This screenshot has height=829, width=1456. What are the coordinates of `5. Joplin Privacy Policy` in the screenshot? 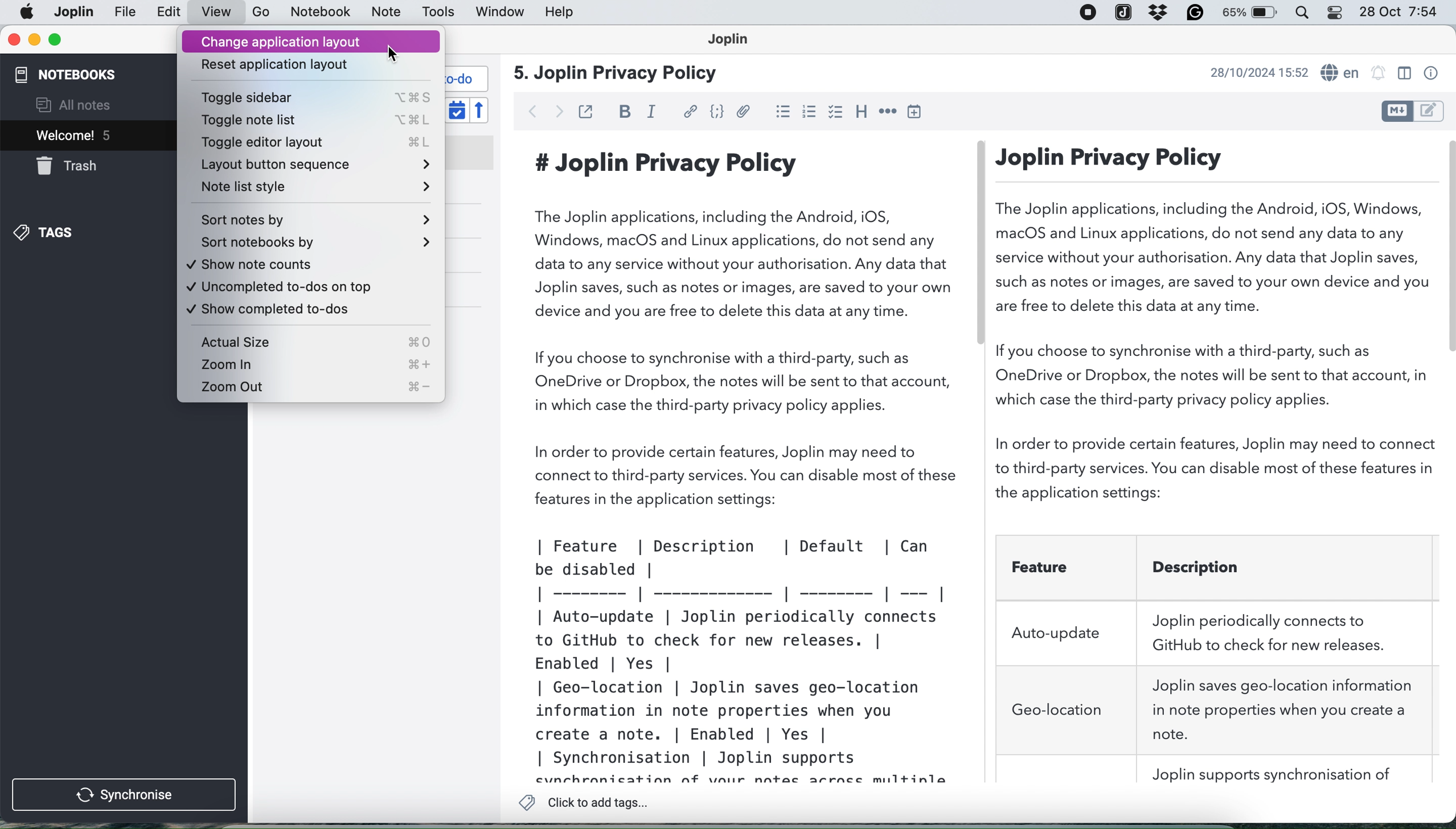 It's located at (618, 75).